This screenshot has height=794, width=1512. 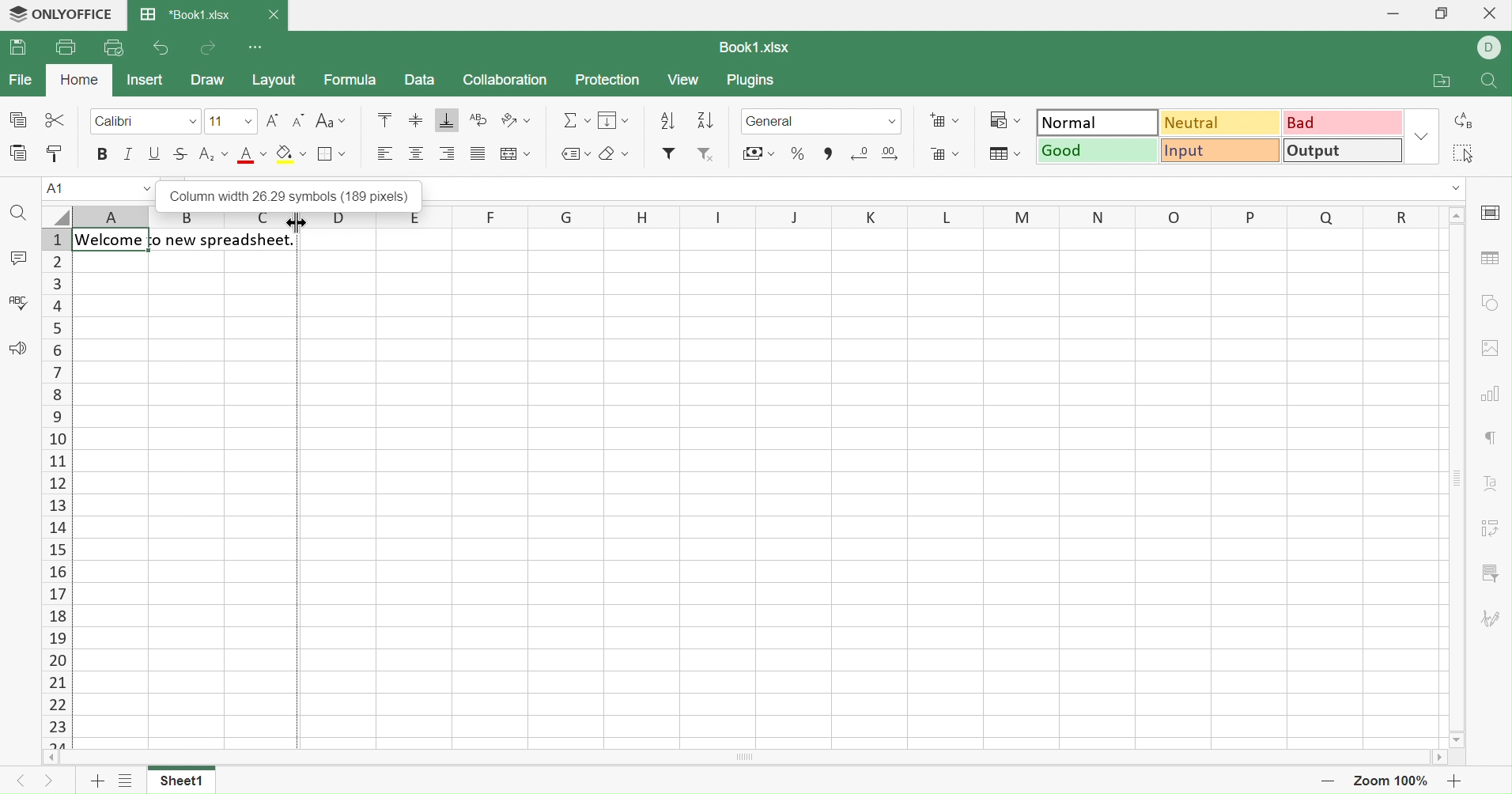 What do you see at coordinates (19, 301) in the screenshot?
I see `Check Spelling` at bounding box center [19, 301].